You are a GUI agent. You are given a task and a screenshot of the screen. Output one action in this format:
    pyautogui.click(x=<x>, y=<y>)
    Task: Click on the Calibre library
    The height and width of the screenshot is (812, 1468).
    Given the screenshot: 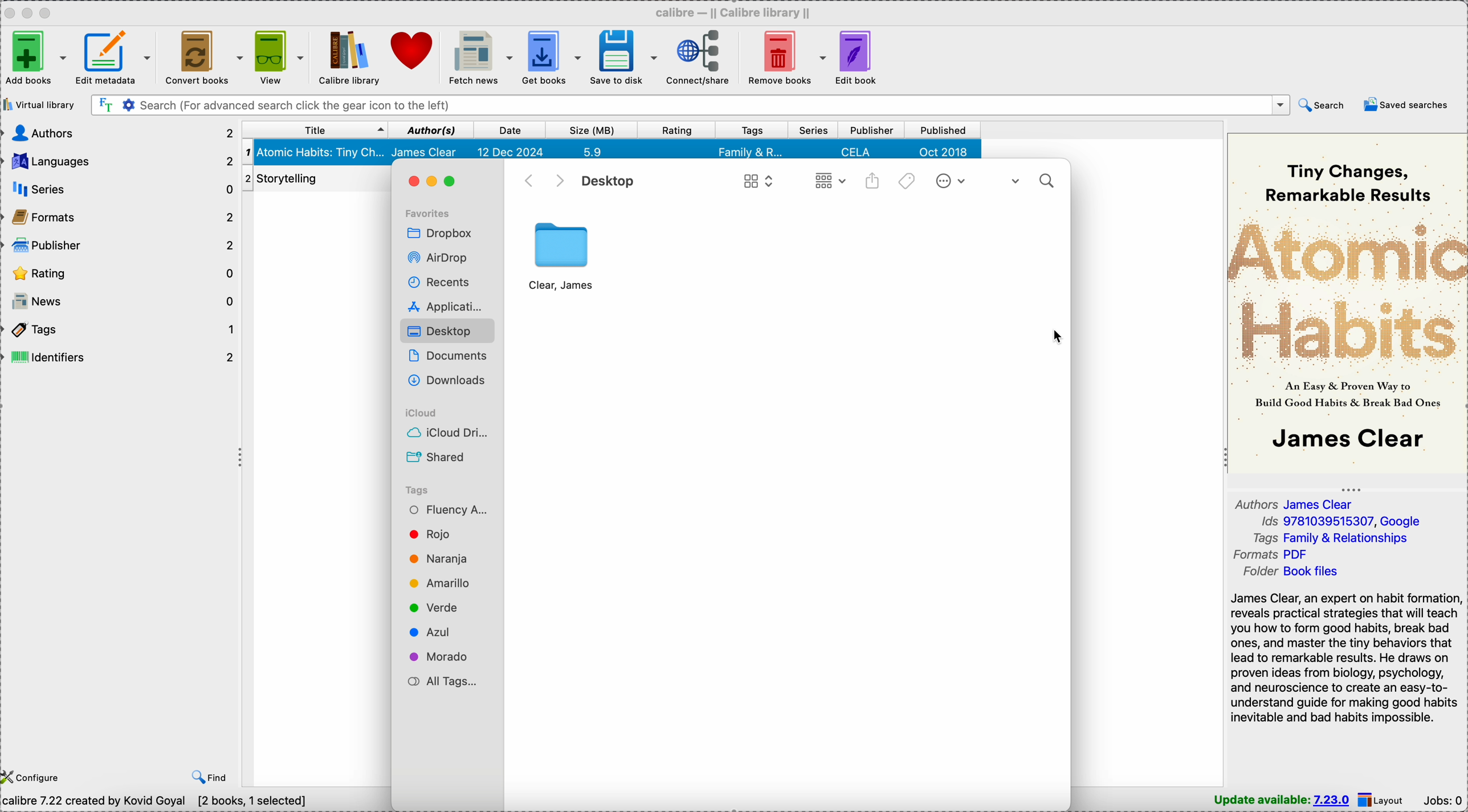 What is the action you would take?
    pyautogui.click(x=349, y=56)
    